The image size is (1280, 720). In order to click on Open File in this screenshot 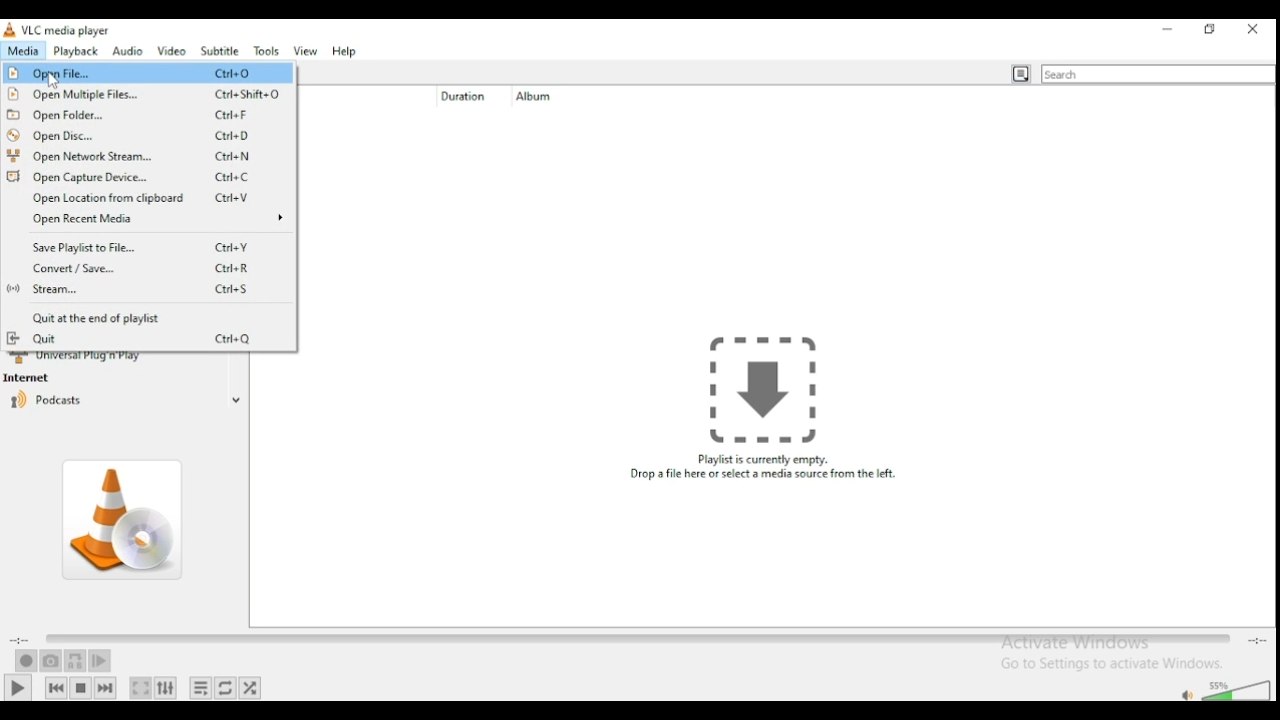, I will do `click(140, 73)`.